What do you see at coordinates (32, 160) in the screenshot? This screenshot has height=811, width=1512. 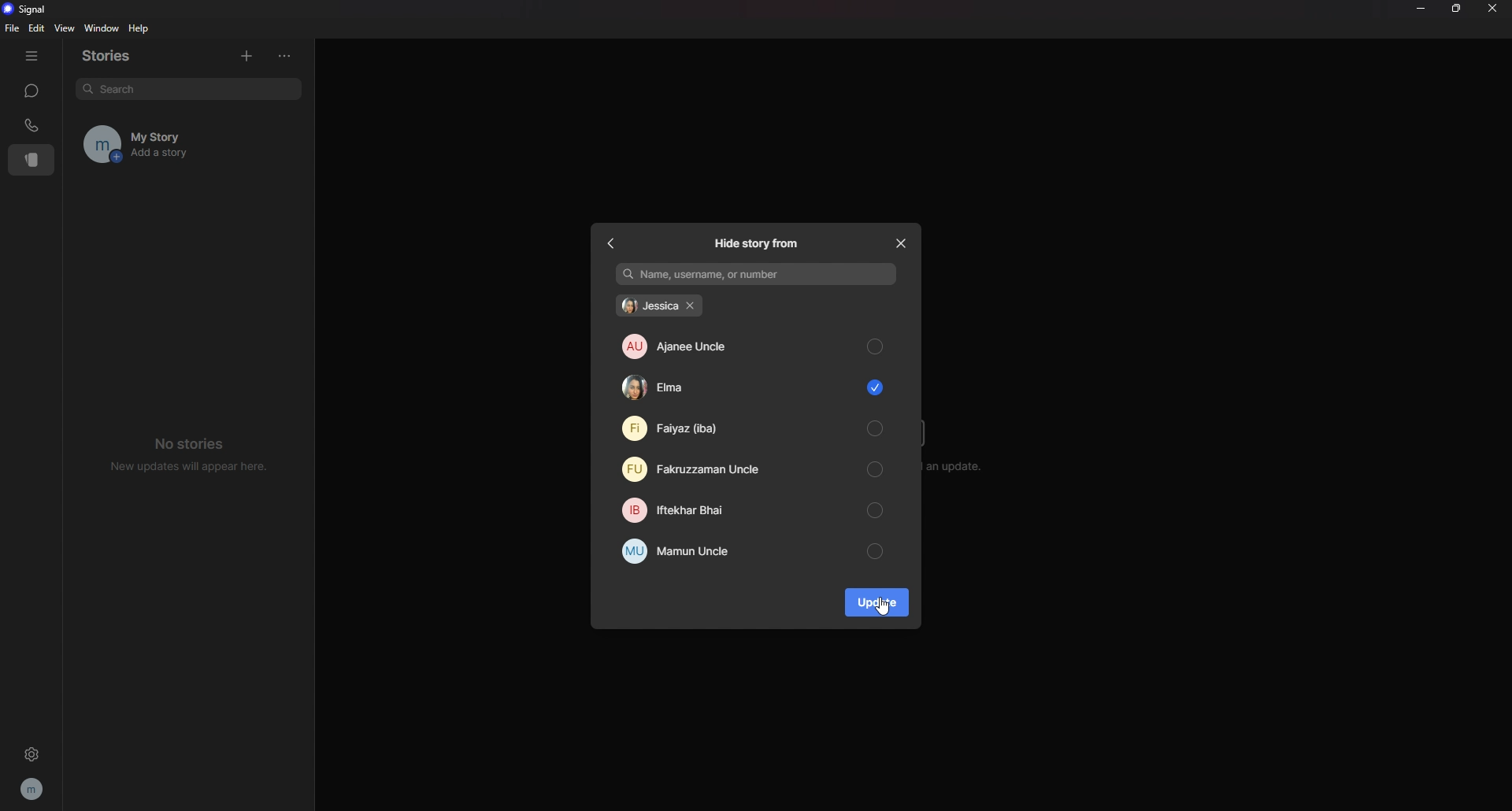 I see `stories` at bounding box center [32, 160].